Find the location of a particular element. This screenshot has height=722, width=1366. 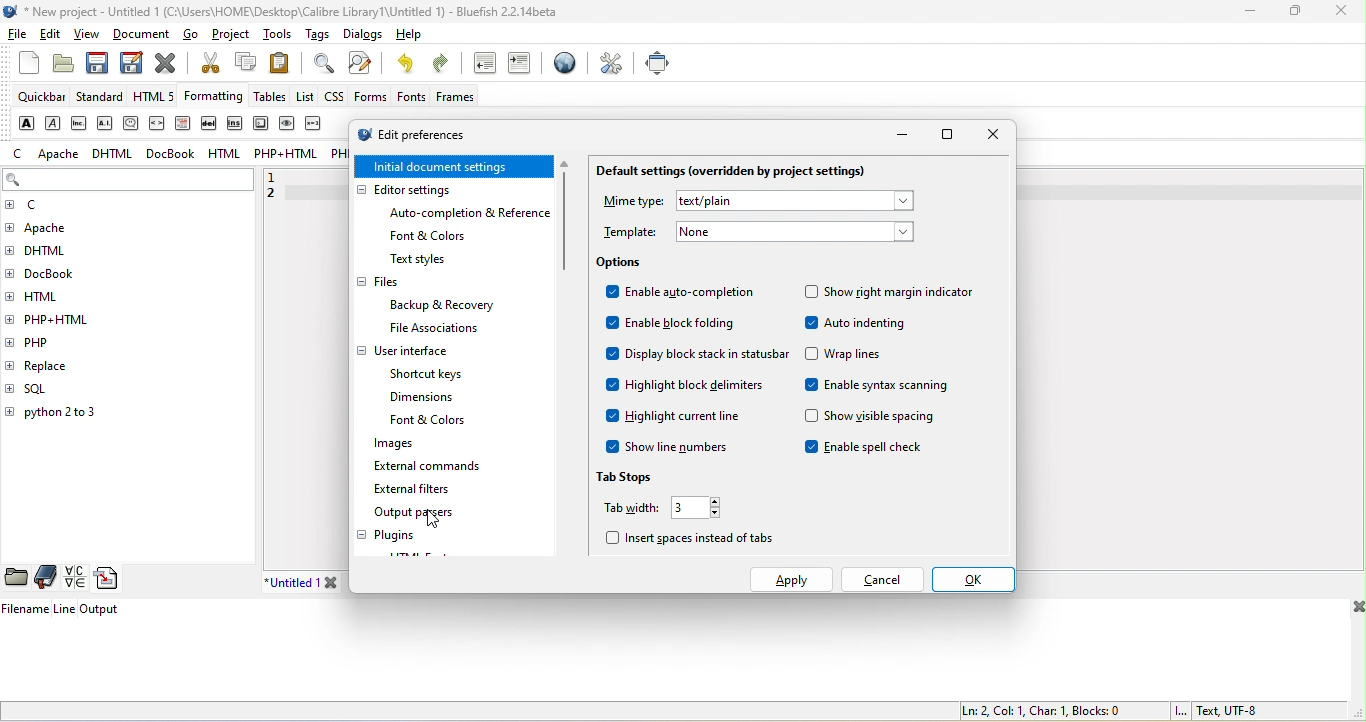

enable block folding is located at coordinates (672, 326).